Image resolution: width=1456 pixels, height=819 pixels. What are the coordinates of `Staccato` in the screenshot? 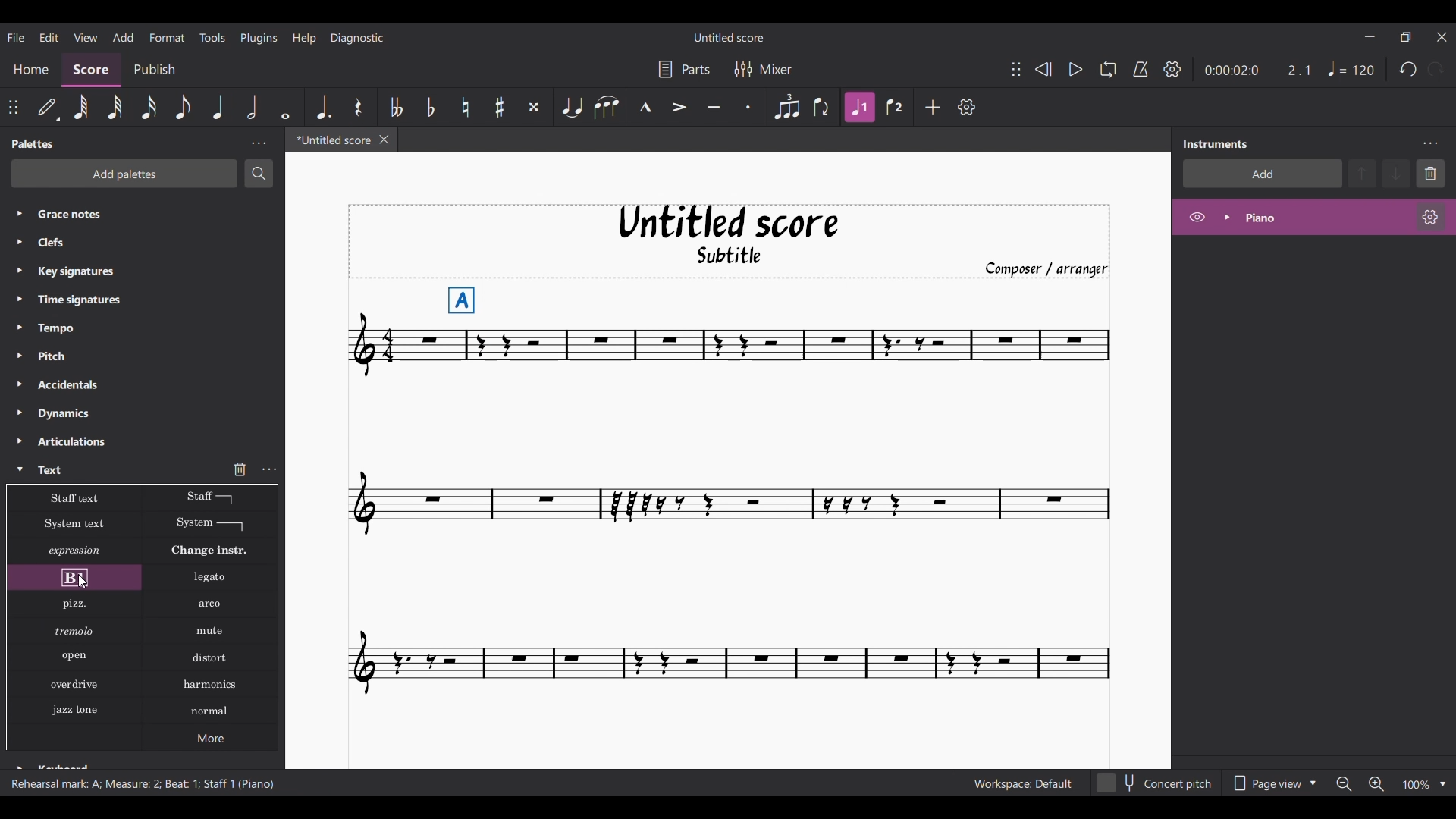 It's located at (747, 108).